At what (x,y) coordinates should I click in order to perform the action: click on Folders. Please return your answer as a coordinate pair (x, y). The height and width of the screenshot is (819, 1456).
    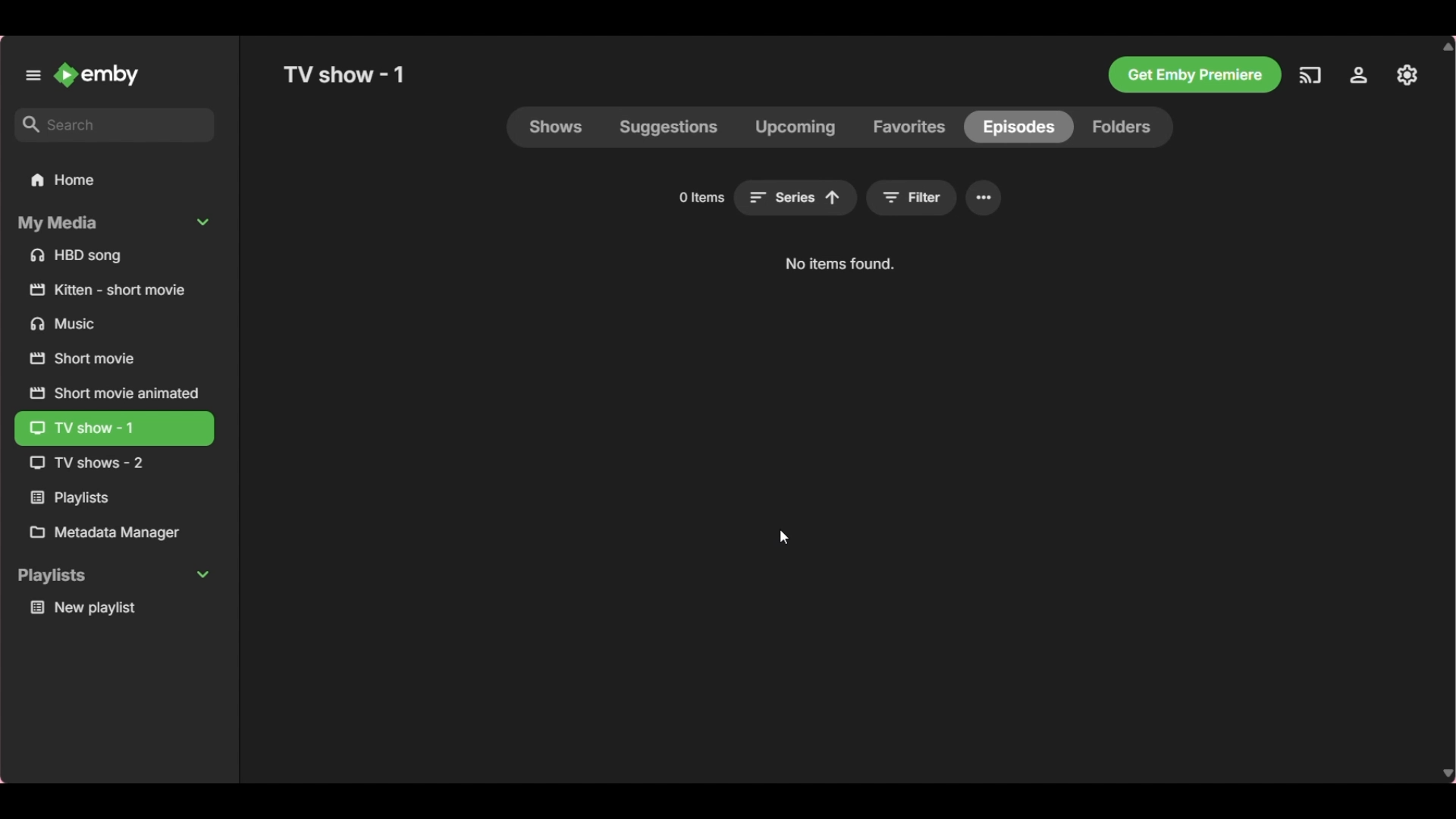
    Looking at the image, I should click on (1123, 127).